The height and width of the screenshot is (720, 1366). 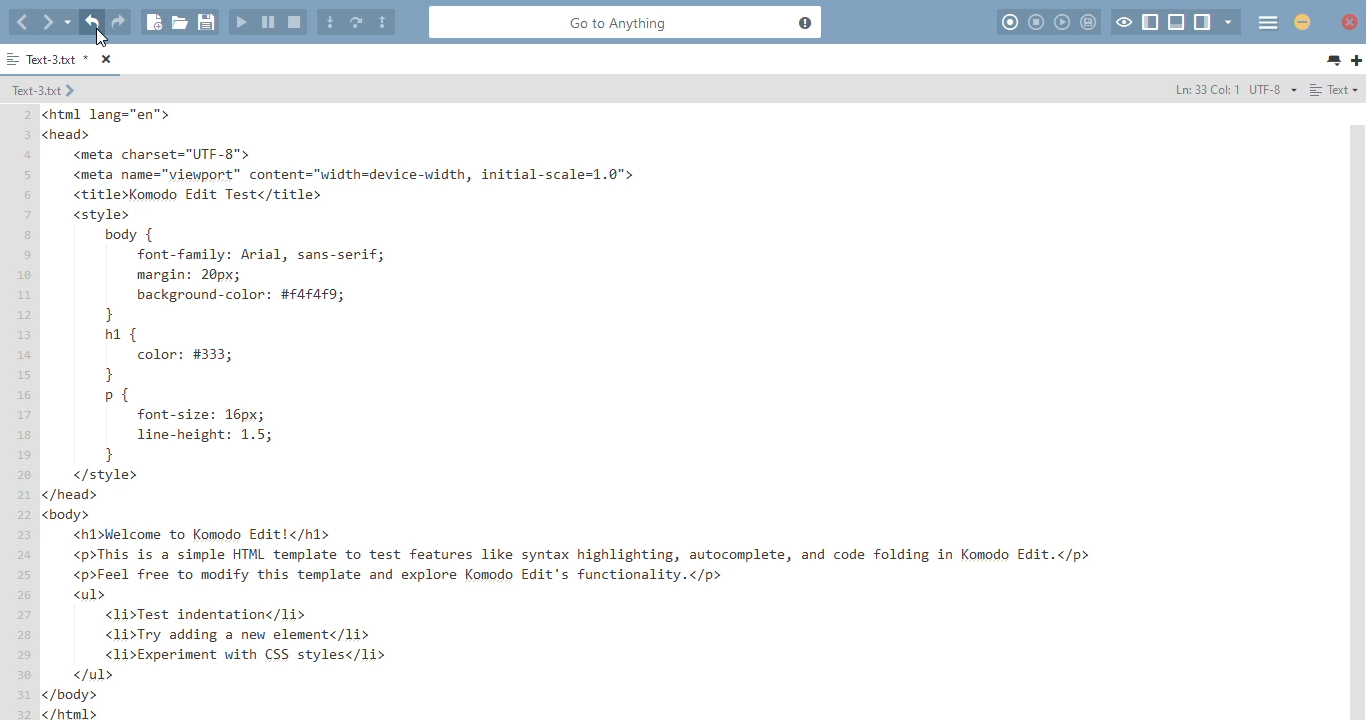 I want to click on show/hide left pane, so click(x=1150, y=22).